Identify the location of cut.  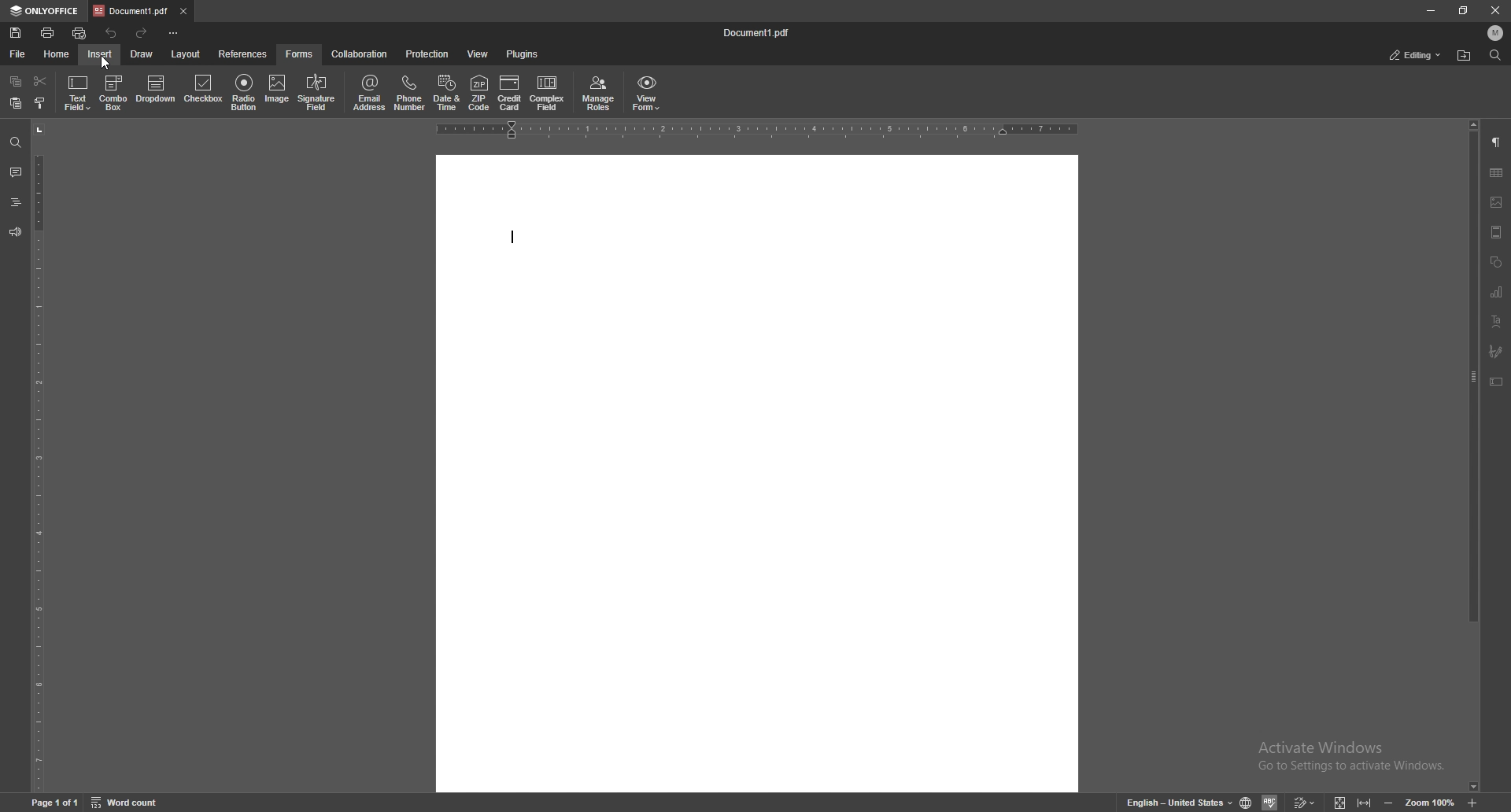
(40, 81).